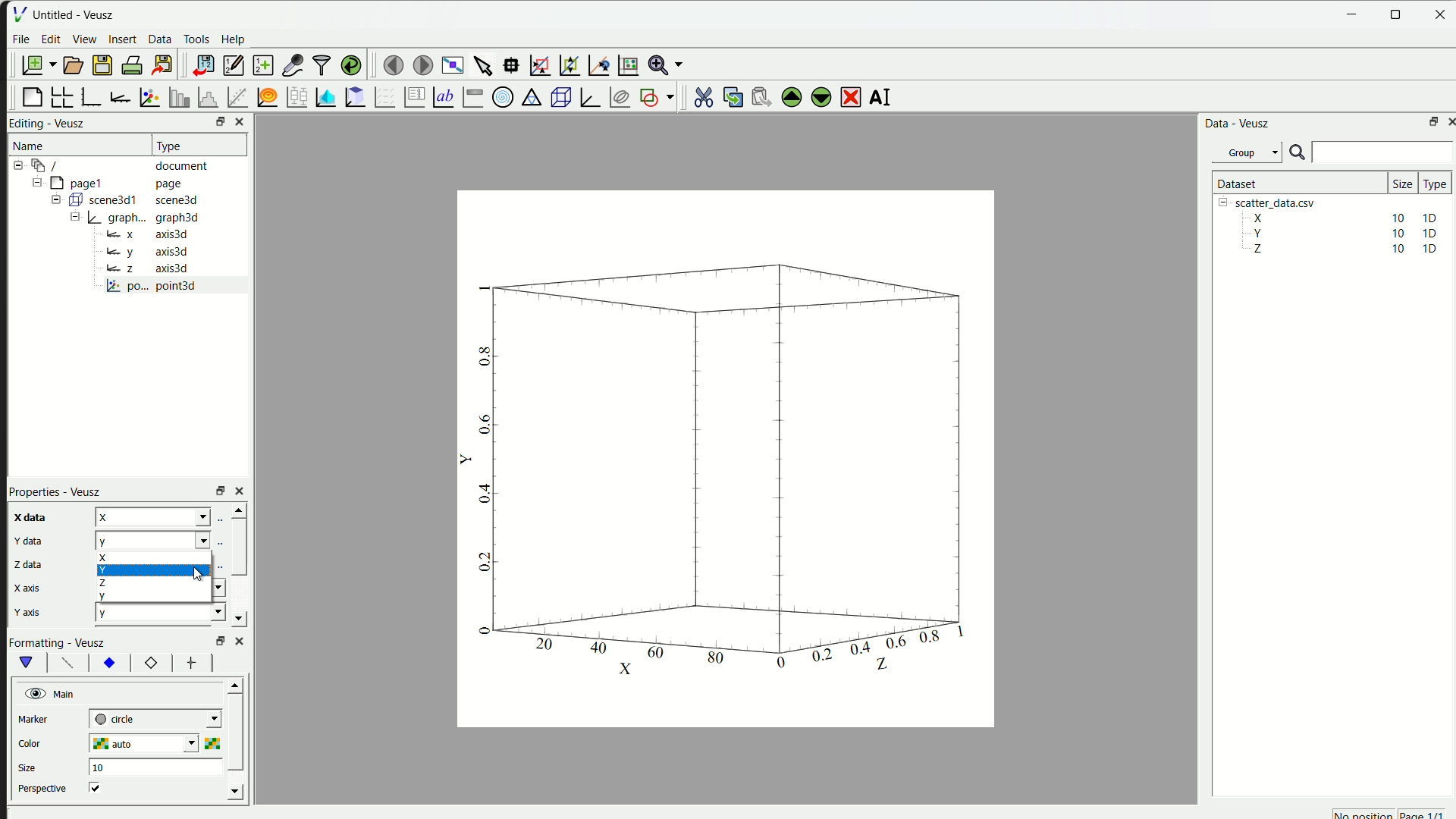 This screenshot has width=1456, height=819. Describe the element at coordinates (218, 490) in the screenshot. I see `rezise` at that location.